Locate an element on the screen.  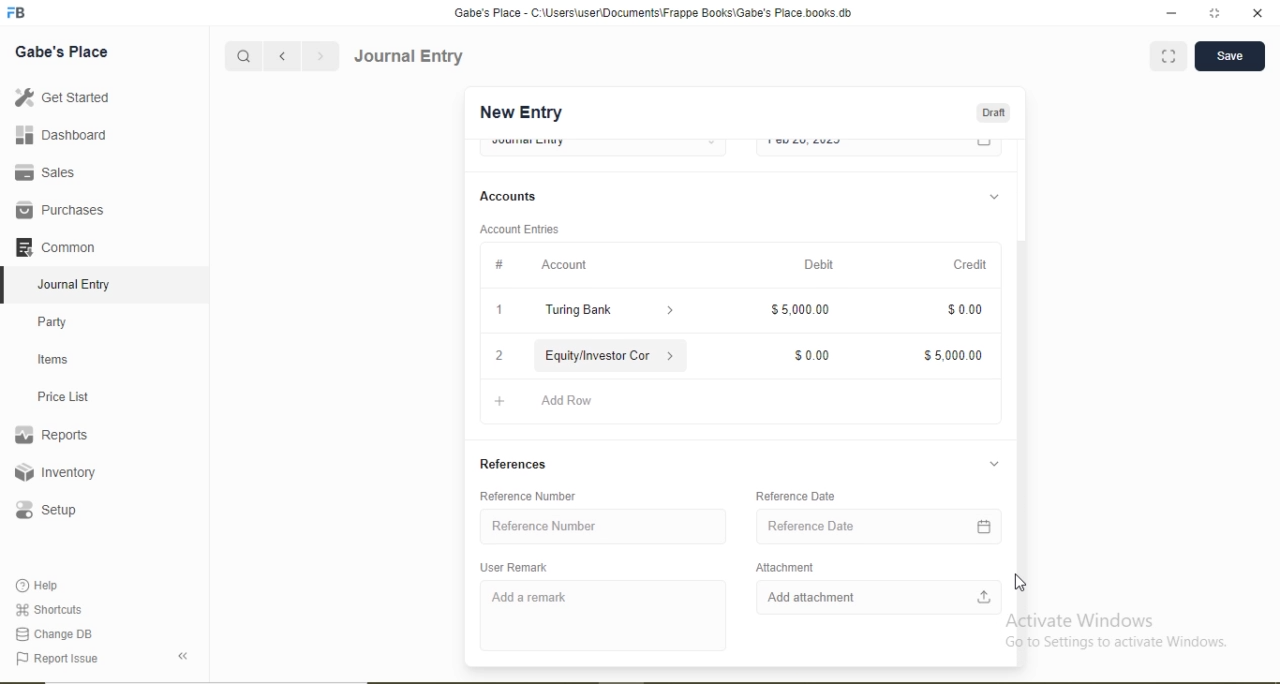
Reference Date is located at coordinates (795, 496).